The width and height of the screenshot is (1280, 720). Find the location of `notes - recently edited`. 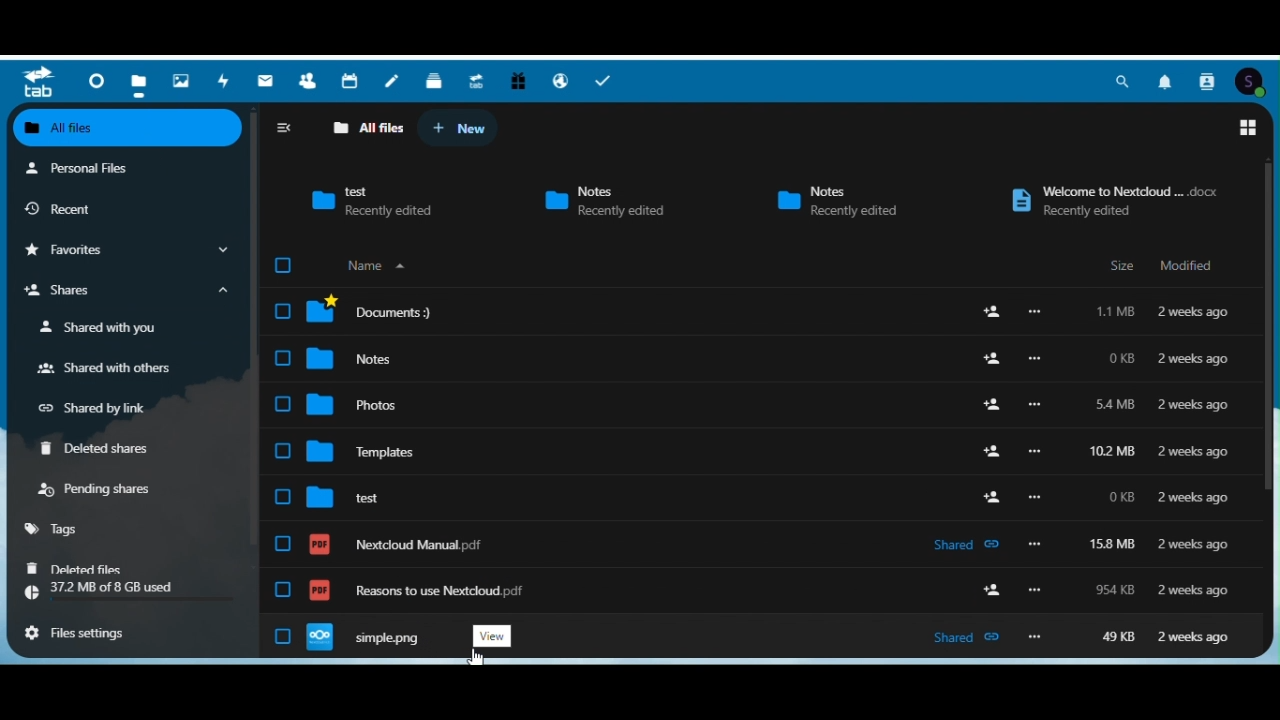

notes - recently edited is located at coordinates (835, 201).